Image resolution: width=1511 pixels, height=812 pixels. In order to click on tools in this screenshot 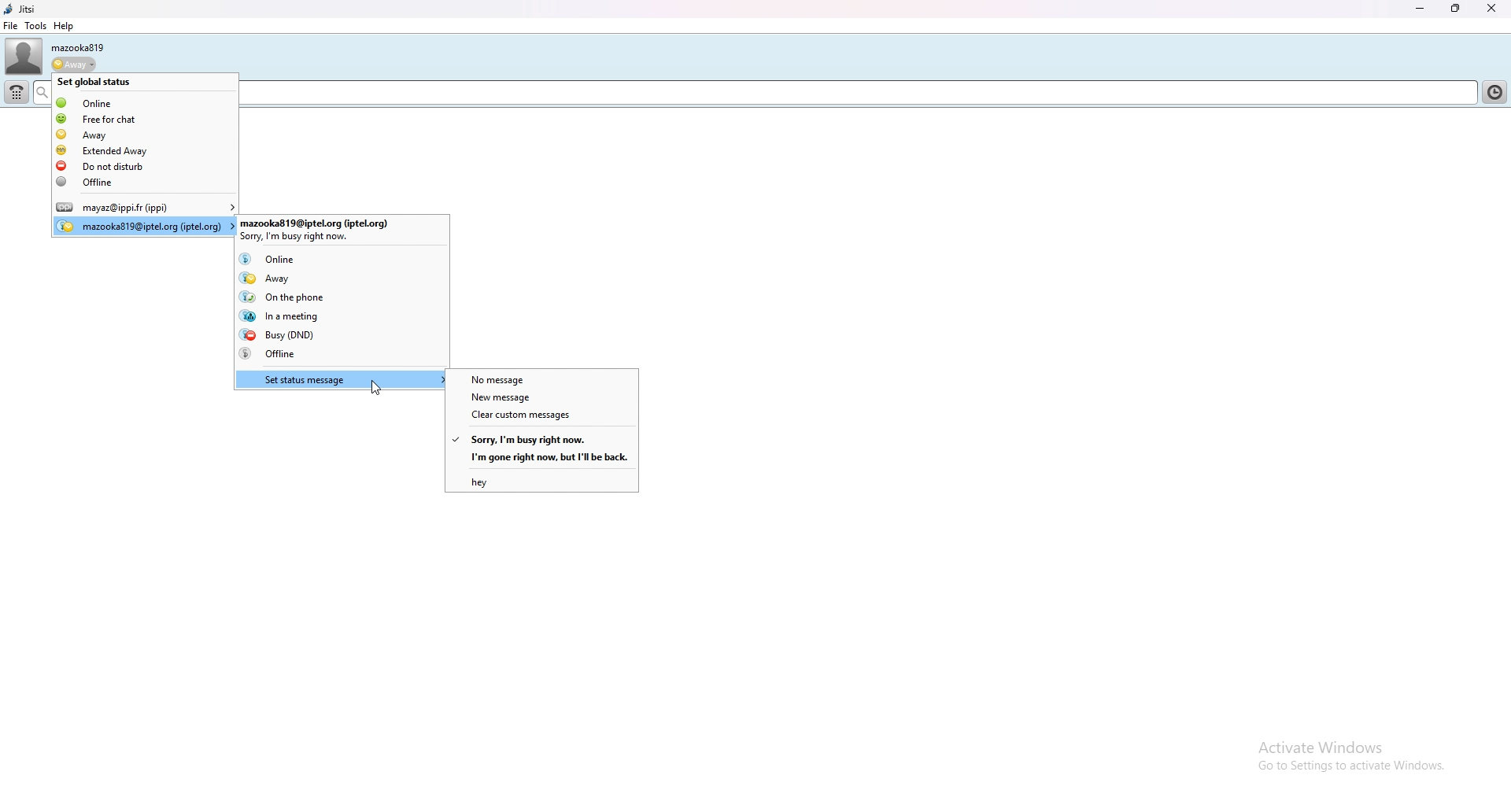, I will do `click(36, 25)`.